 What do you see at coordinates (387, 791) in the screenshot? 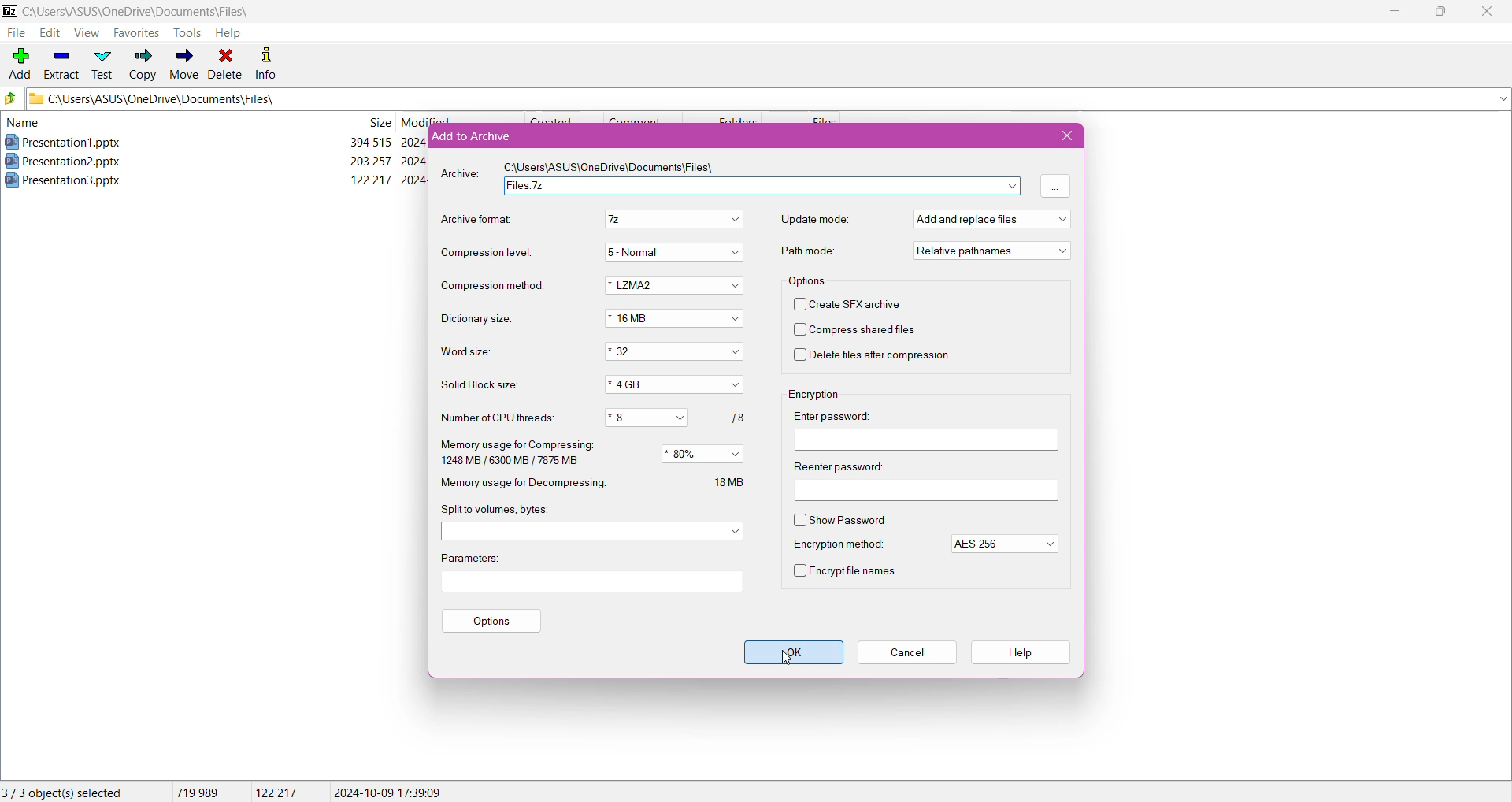
I see `2024-10-07 17:39:09` at bounding box center [387, 791].